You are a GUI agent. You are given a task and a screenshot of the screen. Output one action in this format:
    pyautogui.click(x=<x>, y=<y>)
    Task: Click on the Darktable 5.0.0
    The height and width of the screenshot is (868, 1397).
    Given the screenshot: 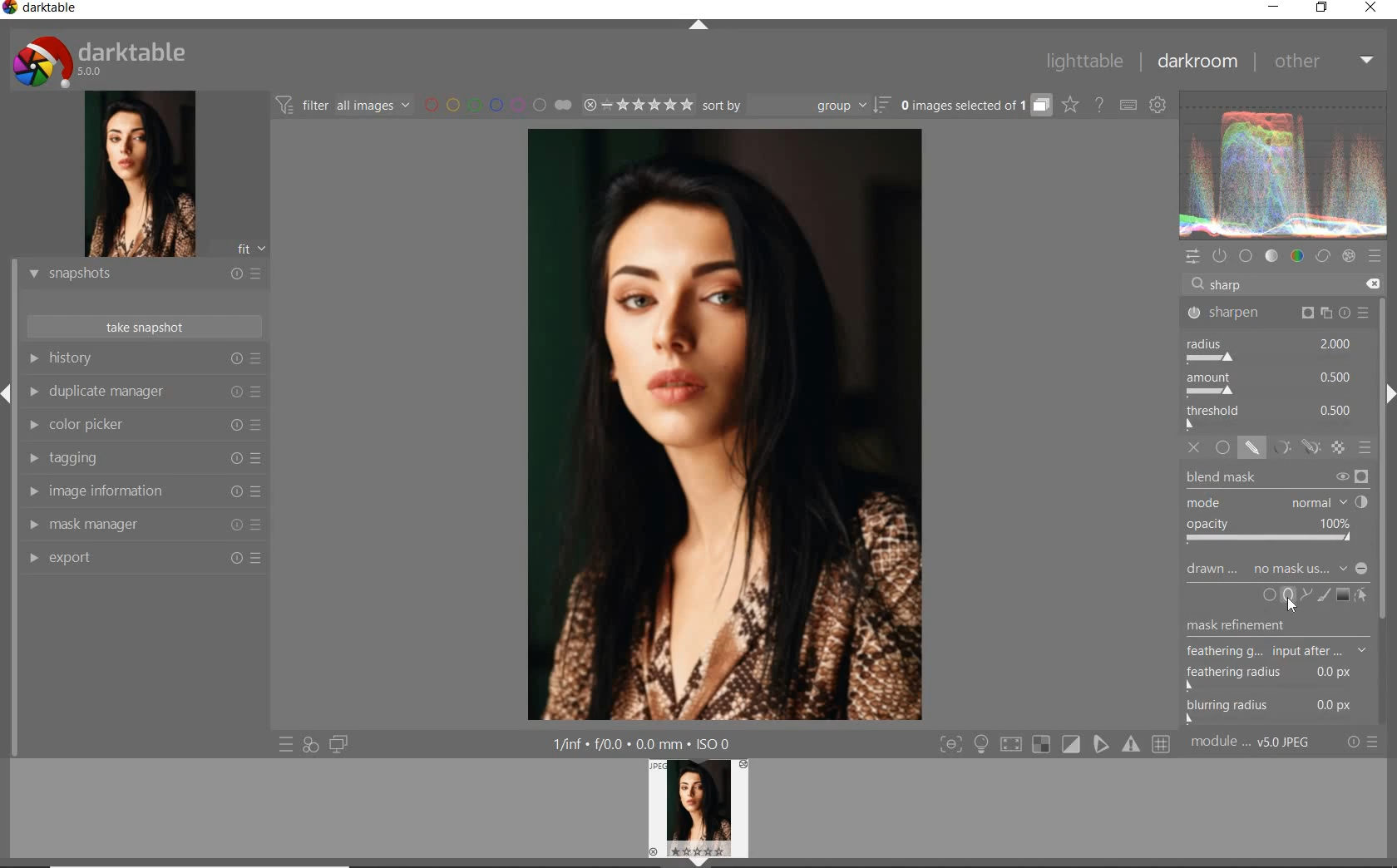 What is the action you would take?
    pyautogui.click(x=99, y=61)
    